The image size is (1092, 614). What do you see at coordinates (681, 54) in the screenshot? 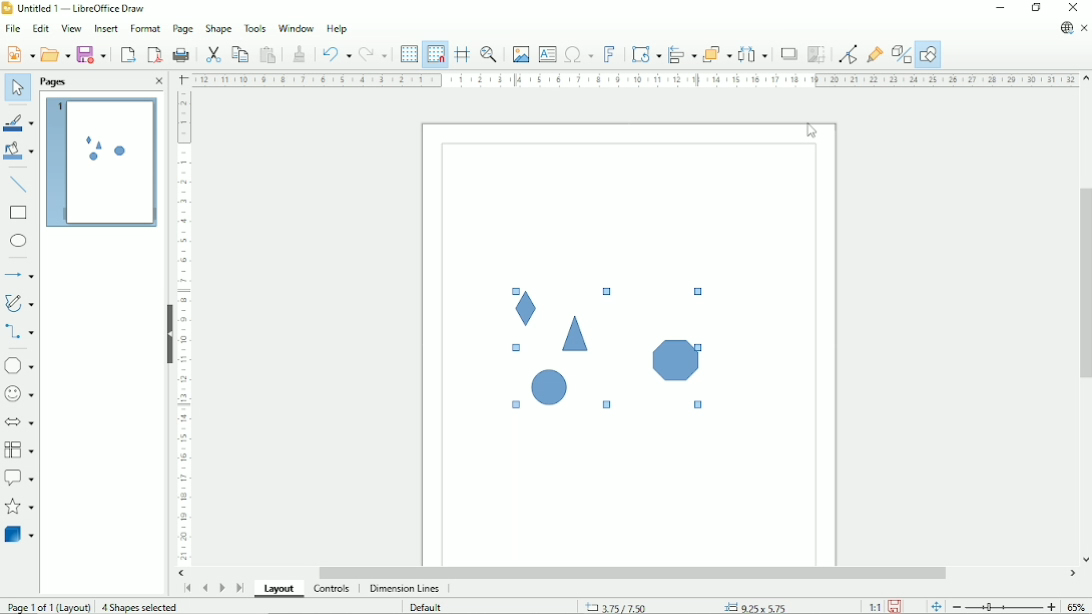
I see `Align objects` at bounding box center [681, 54].